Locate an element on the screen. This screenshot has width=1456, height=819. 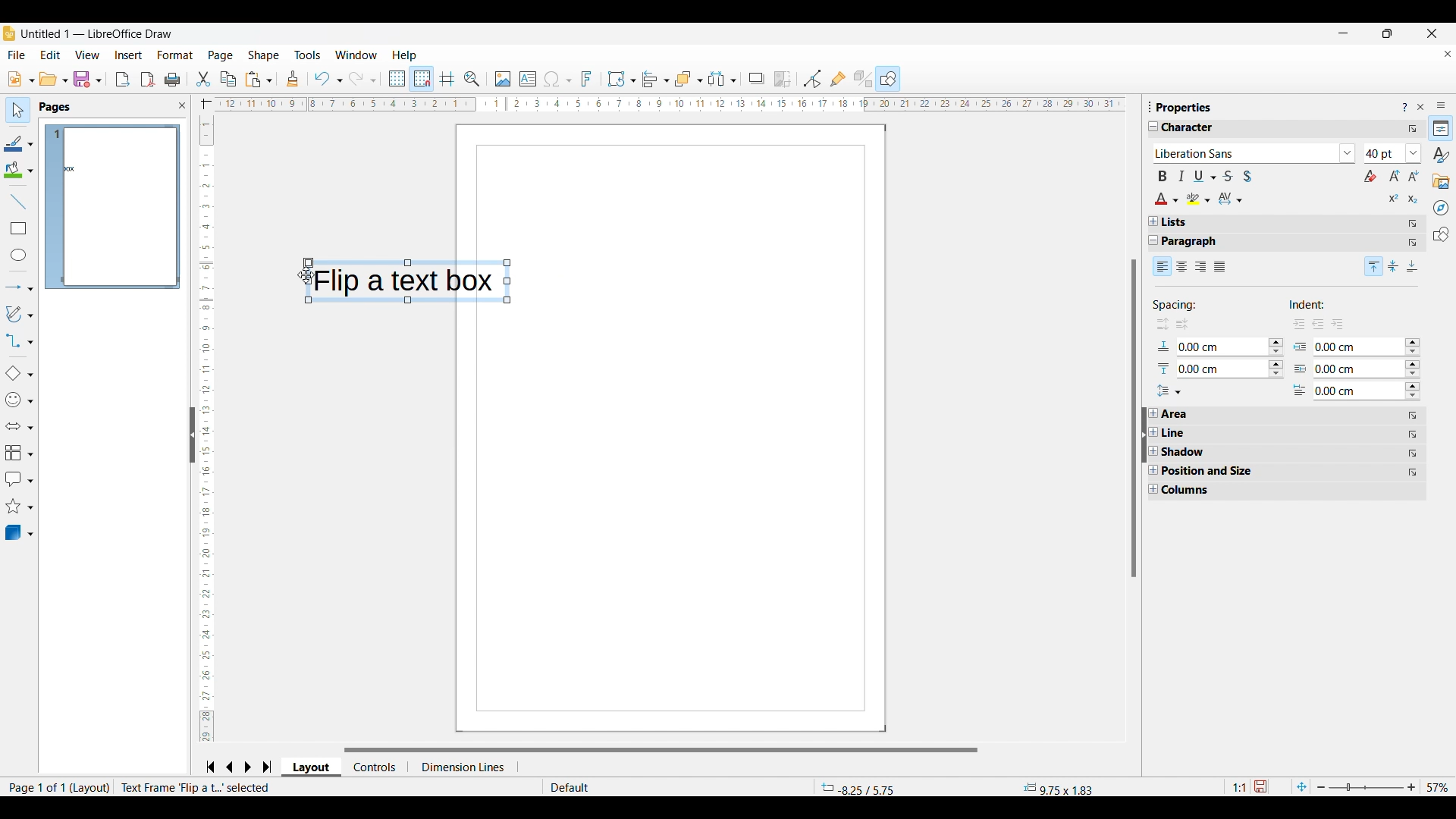
Styles is located at coordinates (1441, 155).